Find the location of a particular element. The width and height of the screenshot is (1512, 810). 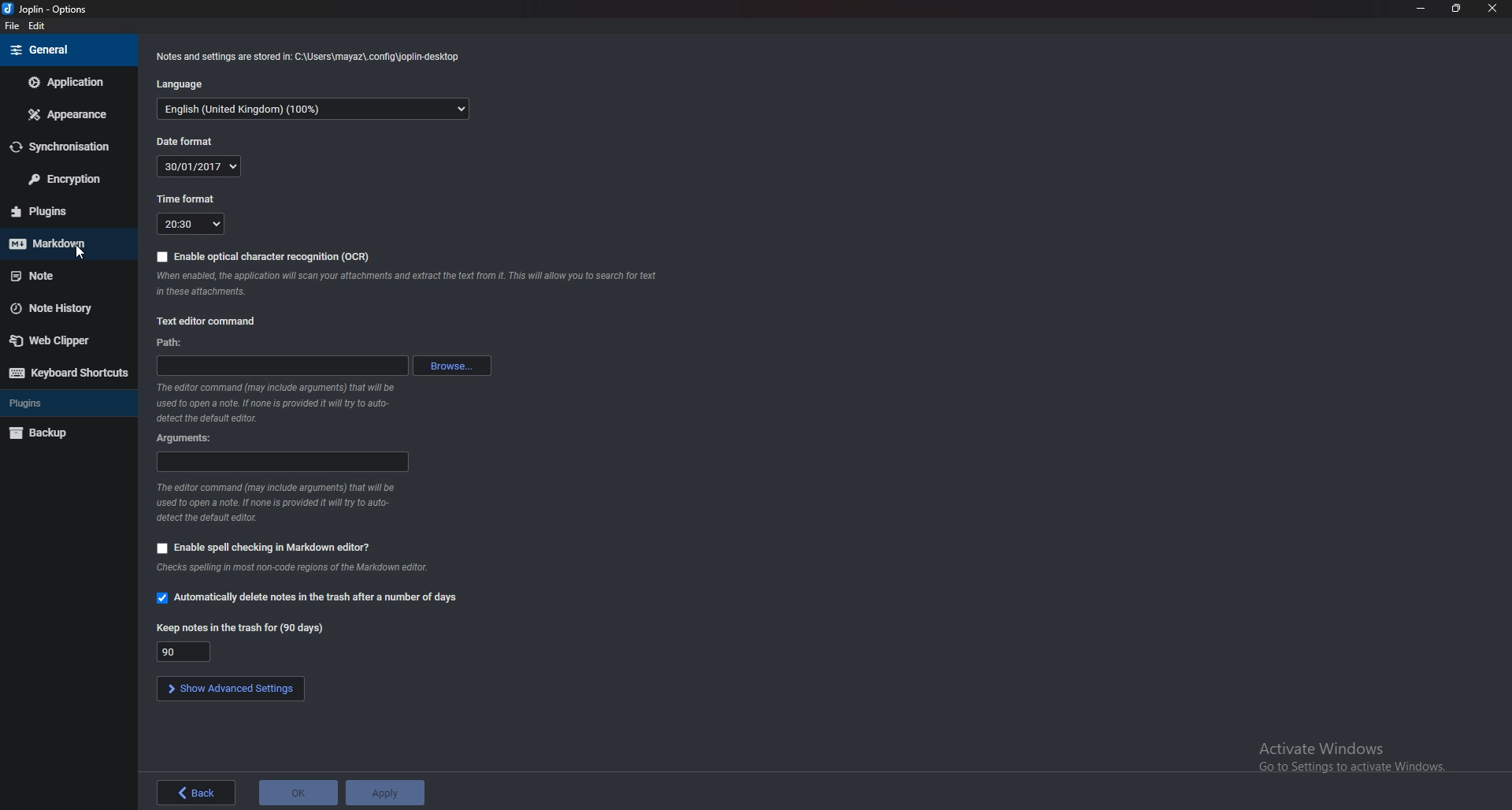

Plugins is located at coordinates (57, 403).